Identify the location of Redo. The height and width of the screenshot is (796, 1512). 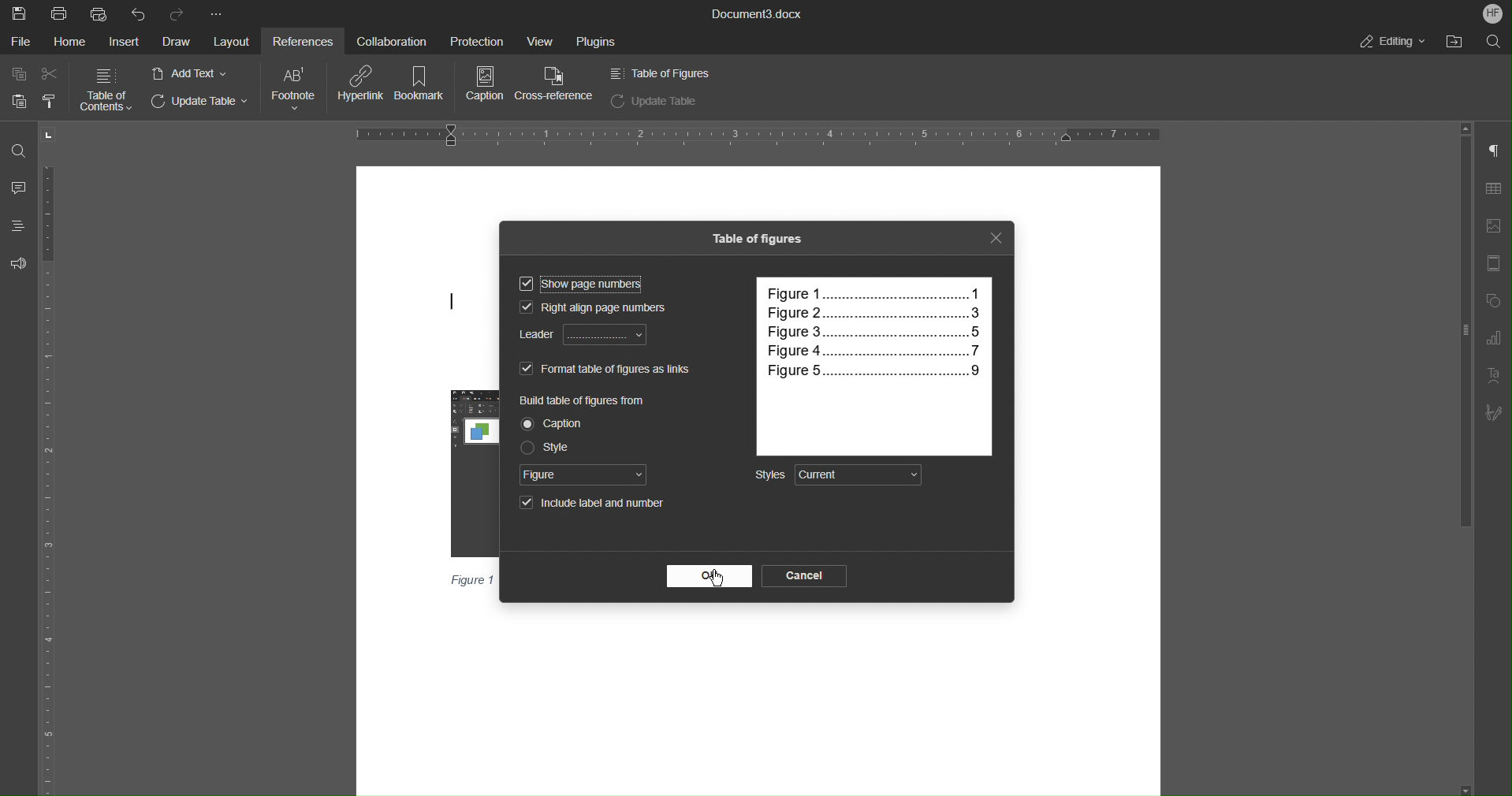
(179, 12).